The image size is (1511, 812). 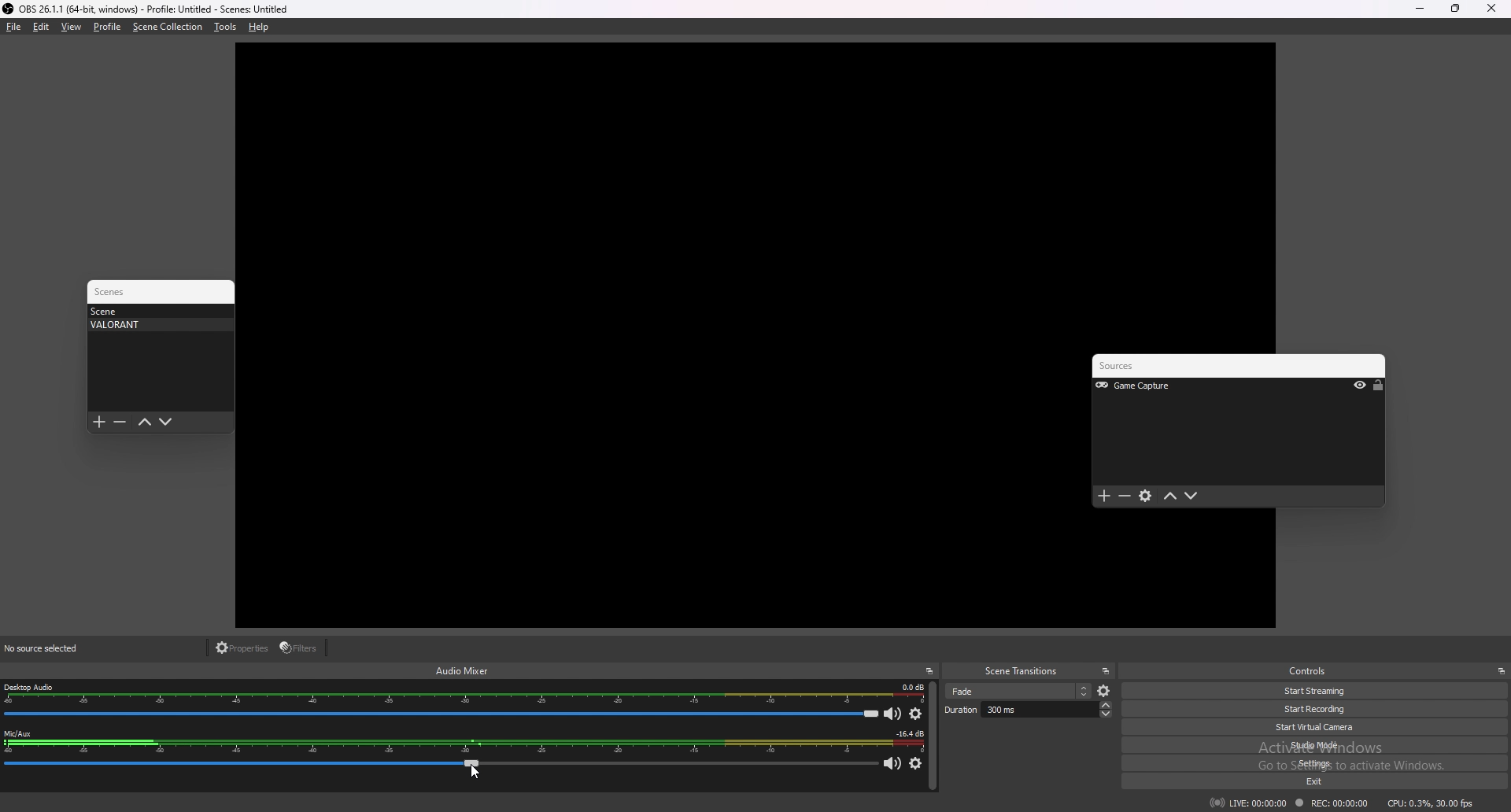 I want to click on controls, so click(x=1313, y=670).